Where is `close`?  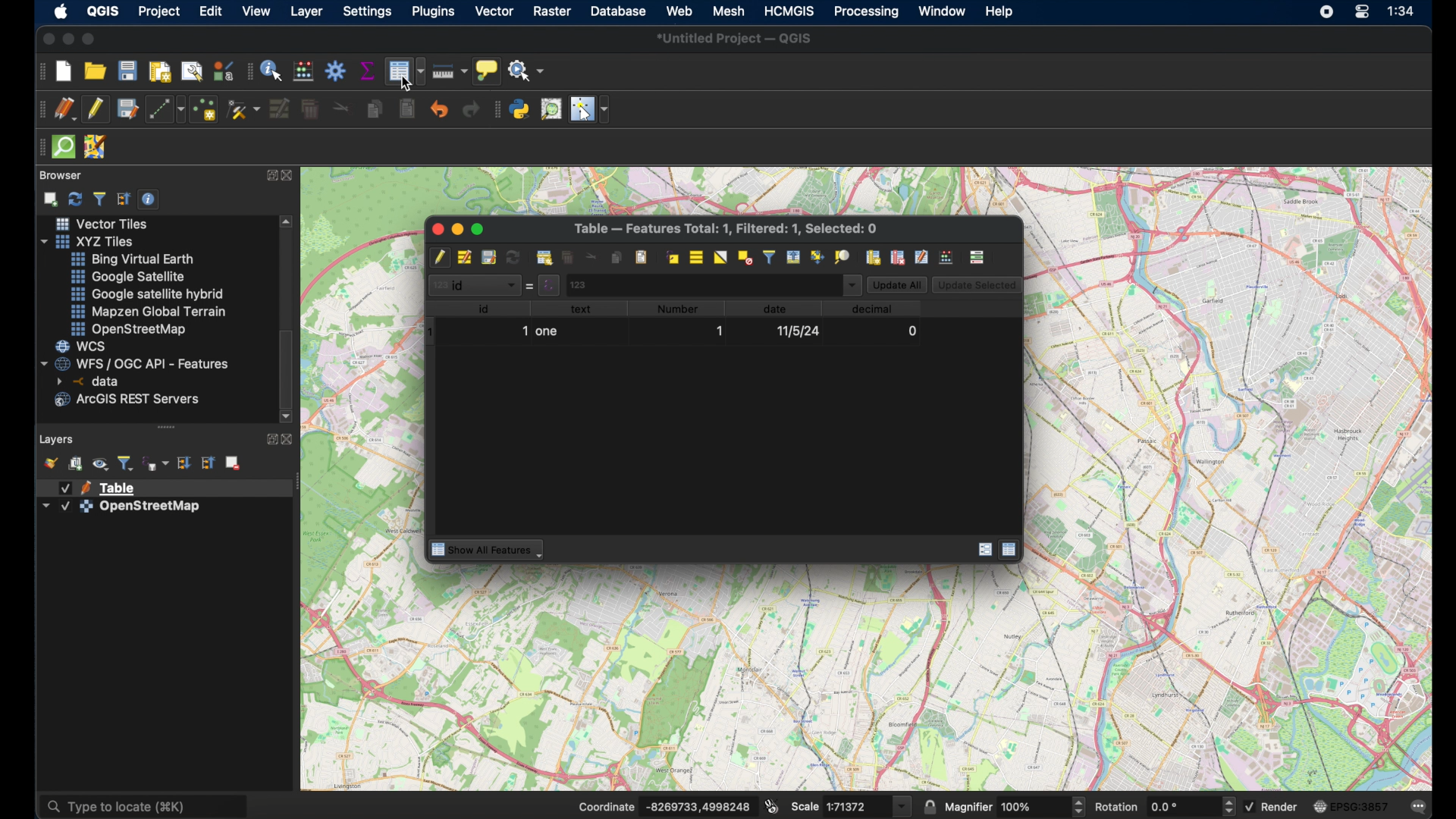
close is located at coordinates (44, 39).